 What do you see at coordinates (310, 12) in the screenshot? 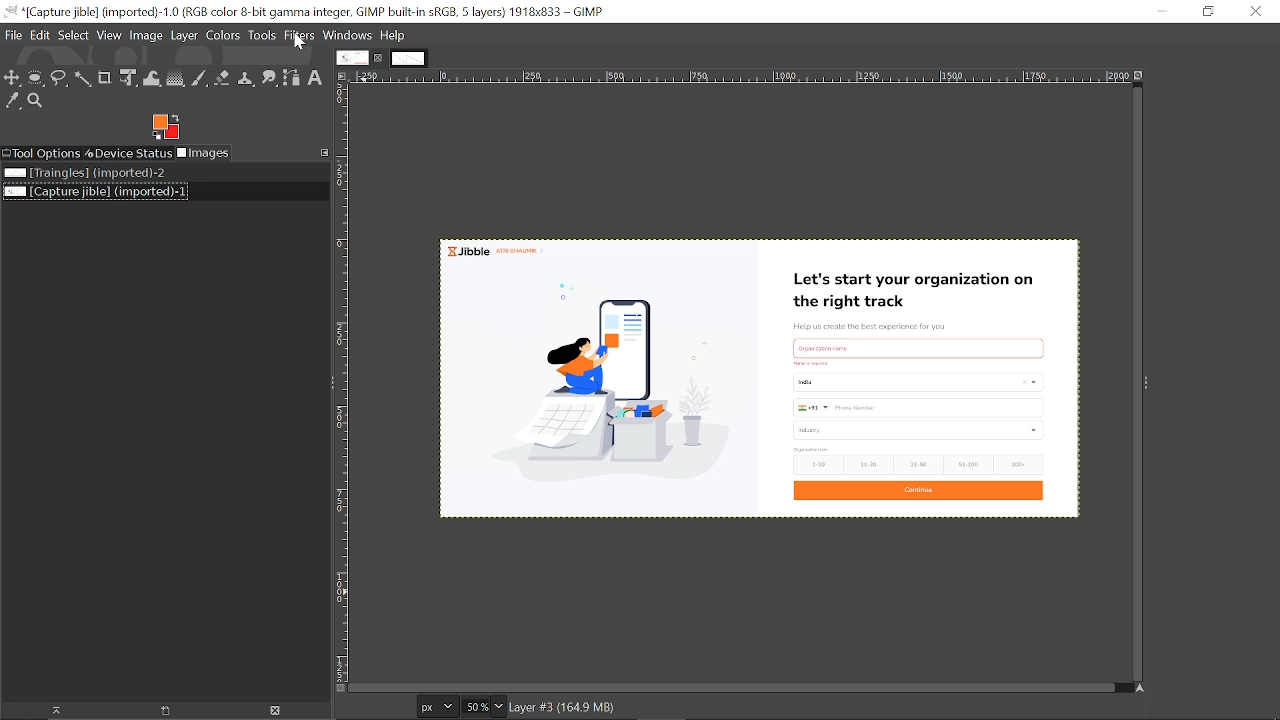
I see `Current window` at bounding box center [310, 12].